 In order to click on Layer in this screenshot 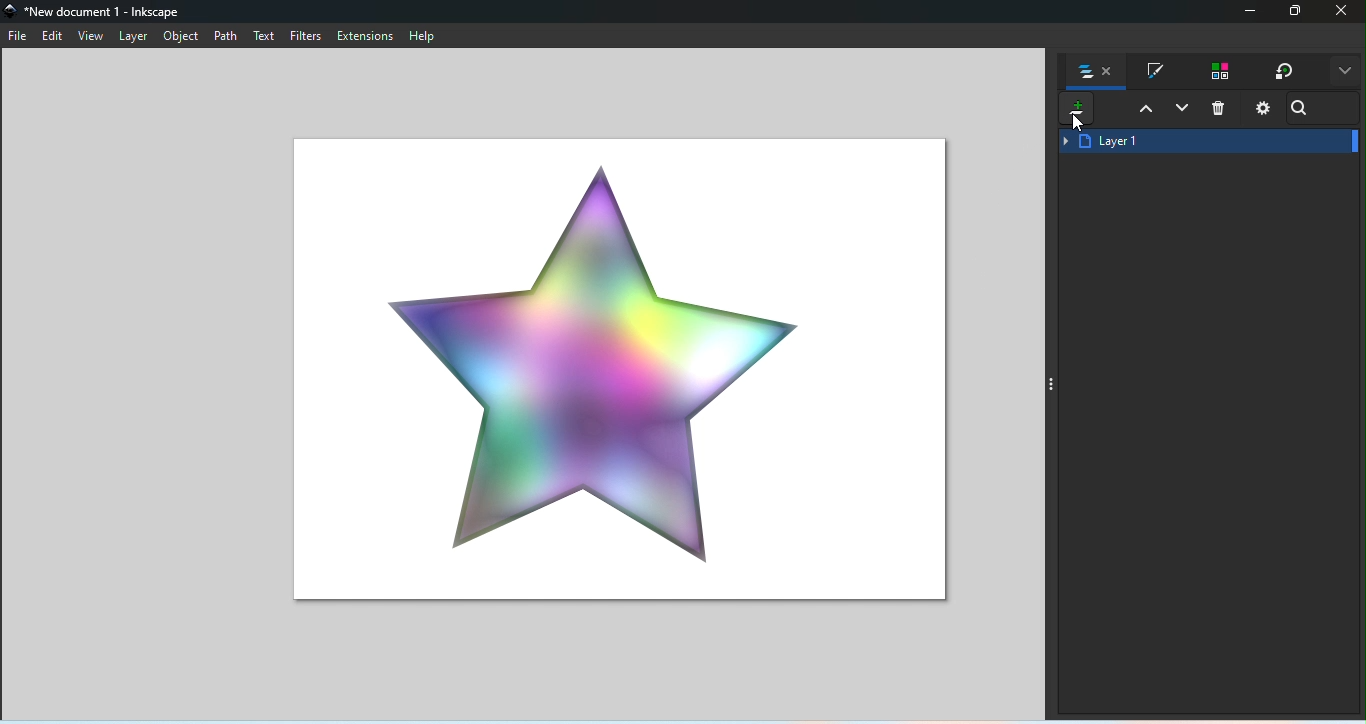, I will do `click(137, 36)`.